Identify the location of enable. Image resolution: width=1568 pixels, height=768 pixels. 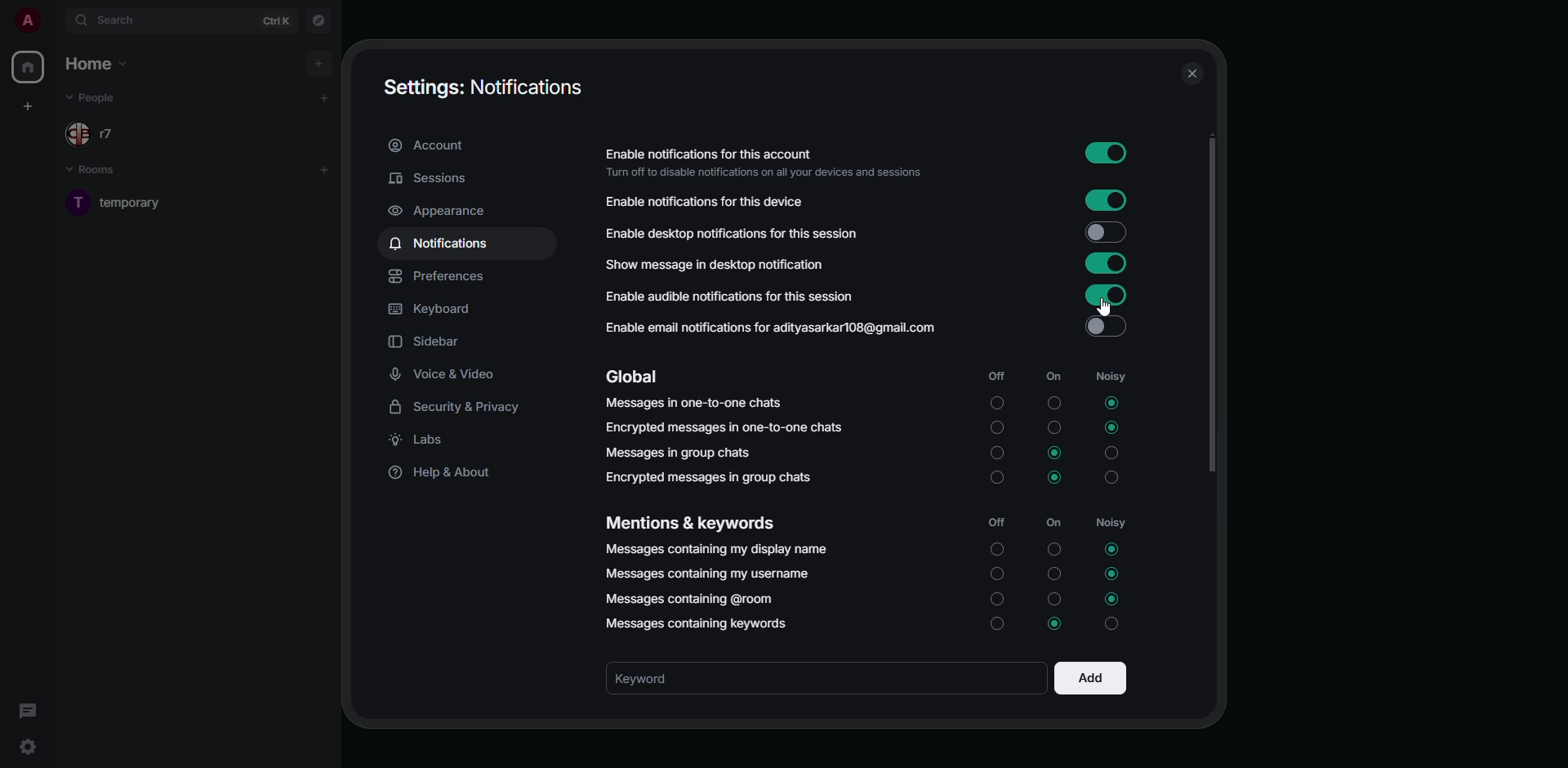
(1109, 201).